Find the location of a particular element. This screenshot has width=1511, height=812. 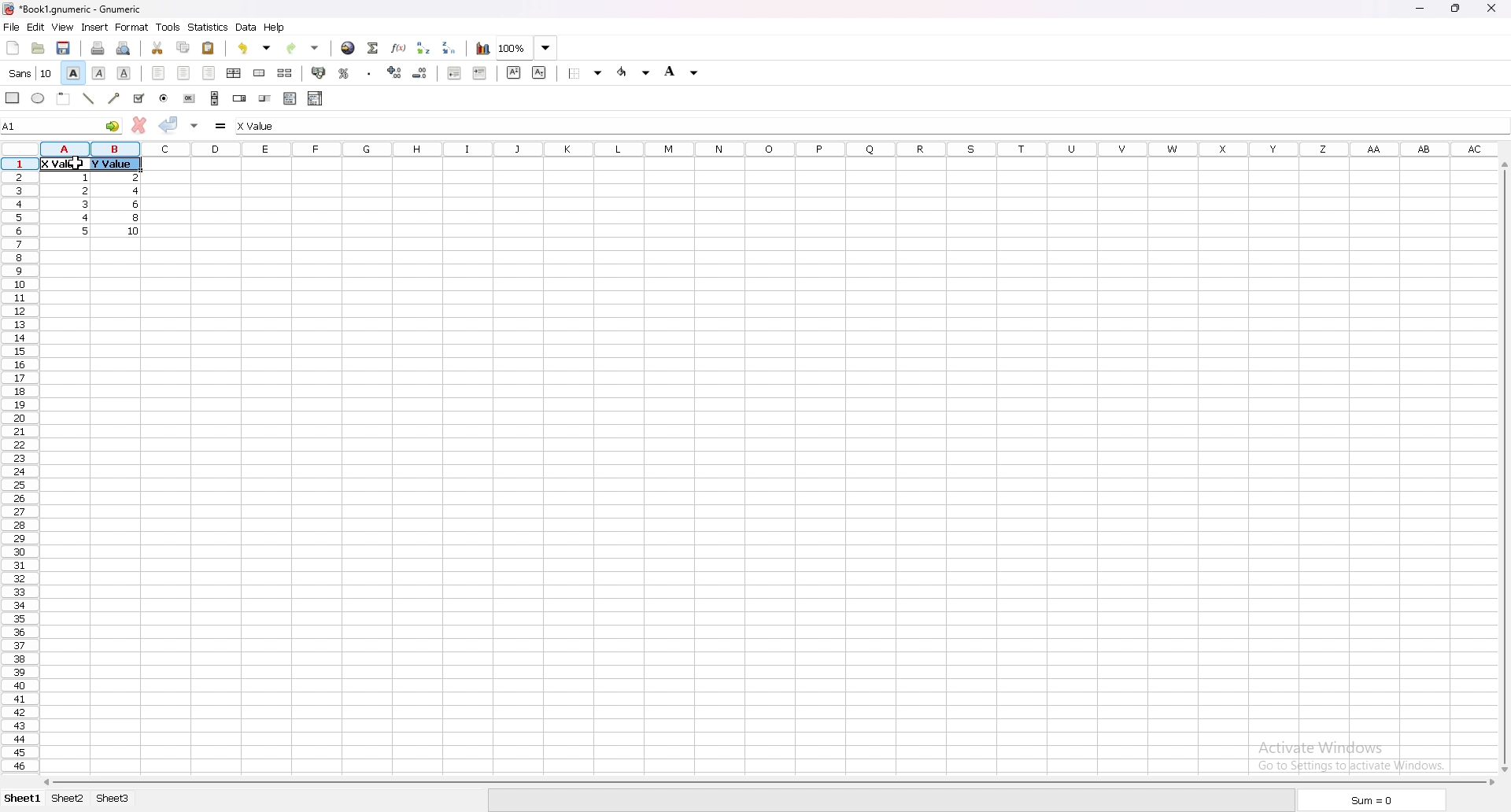

cursor is located at coordinates (74, 164).